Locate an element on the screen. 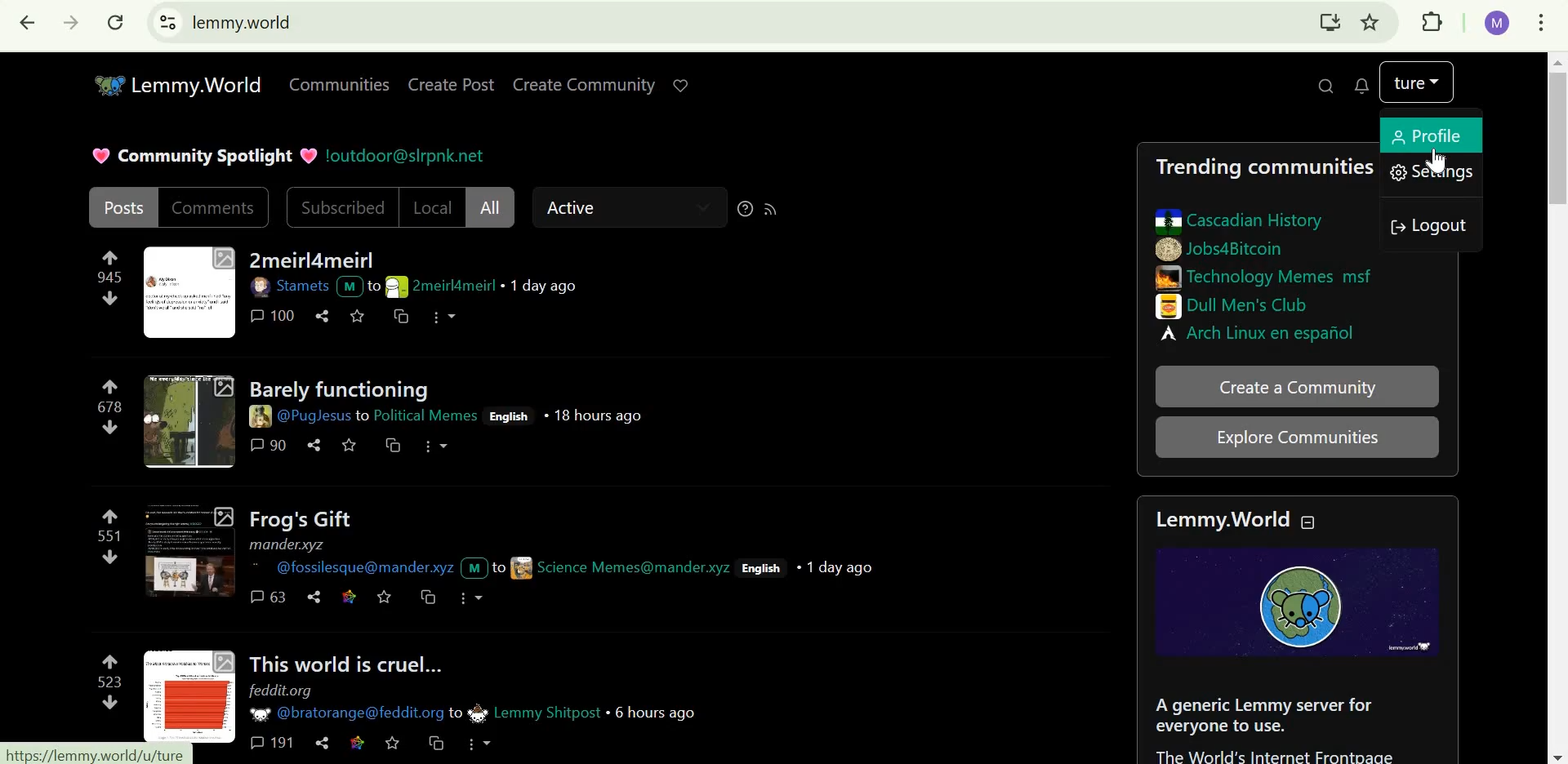 This screenshot has width=1568, height=764. Barely functioning is located at coordinates (340, 387).